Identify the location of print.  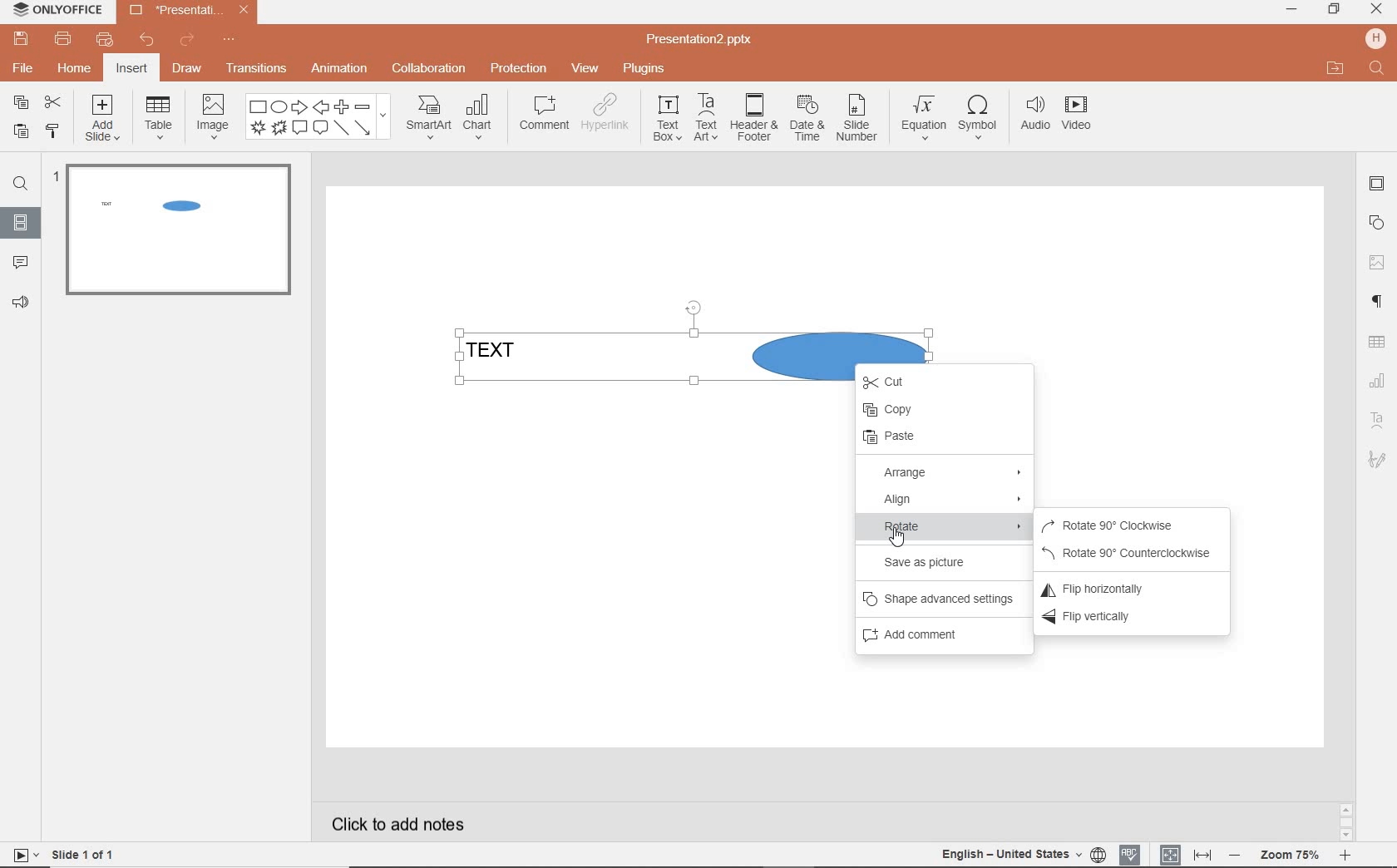
(64, 39).